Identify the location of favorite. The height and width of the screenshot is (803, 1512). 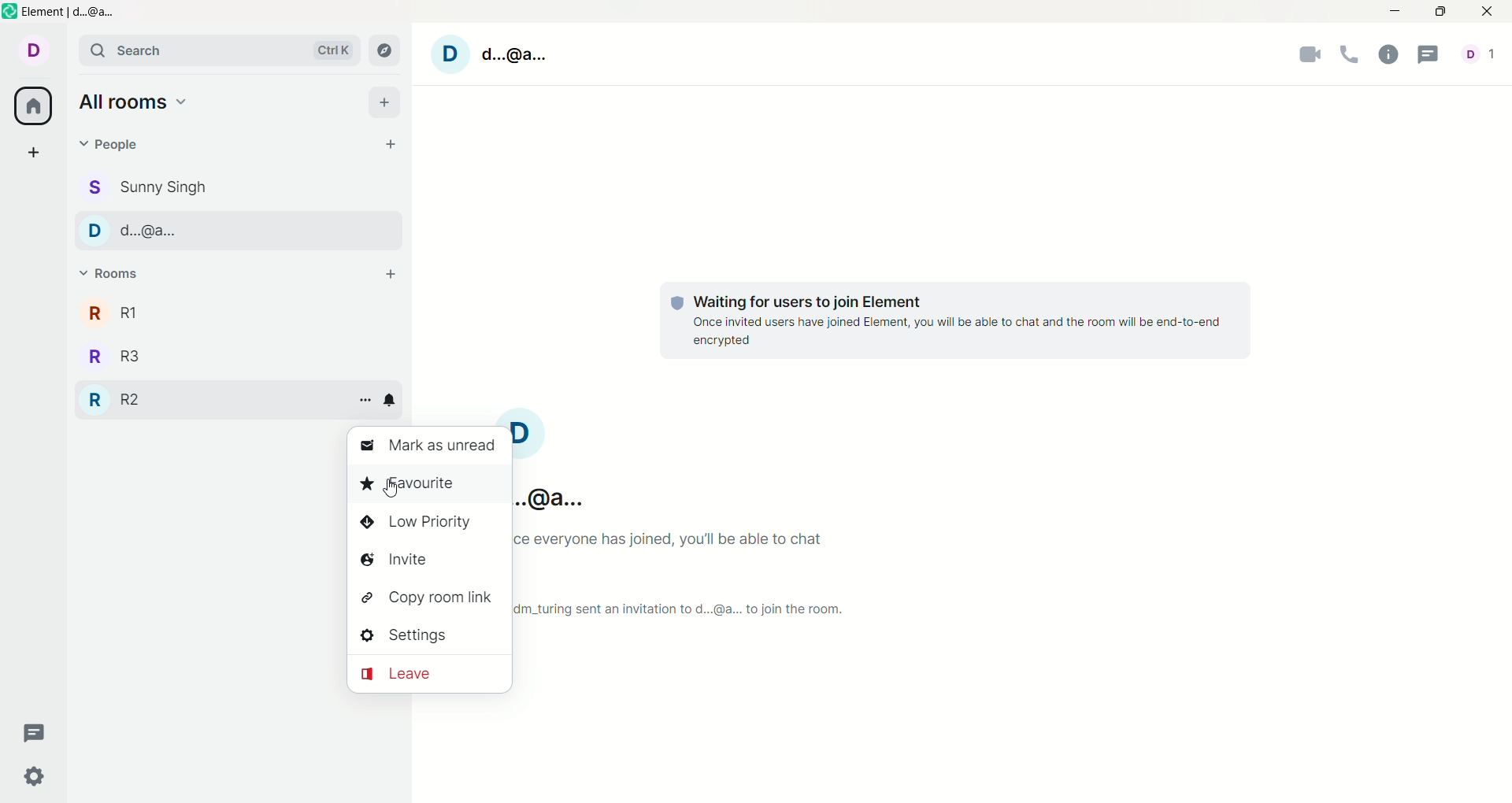
(428, 484).